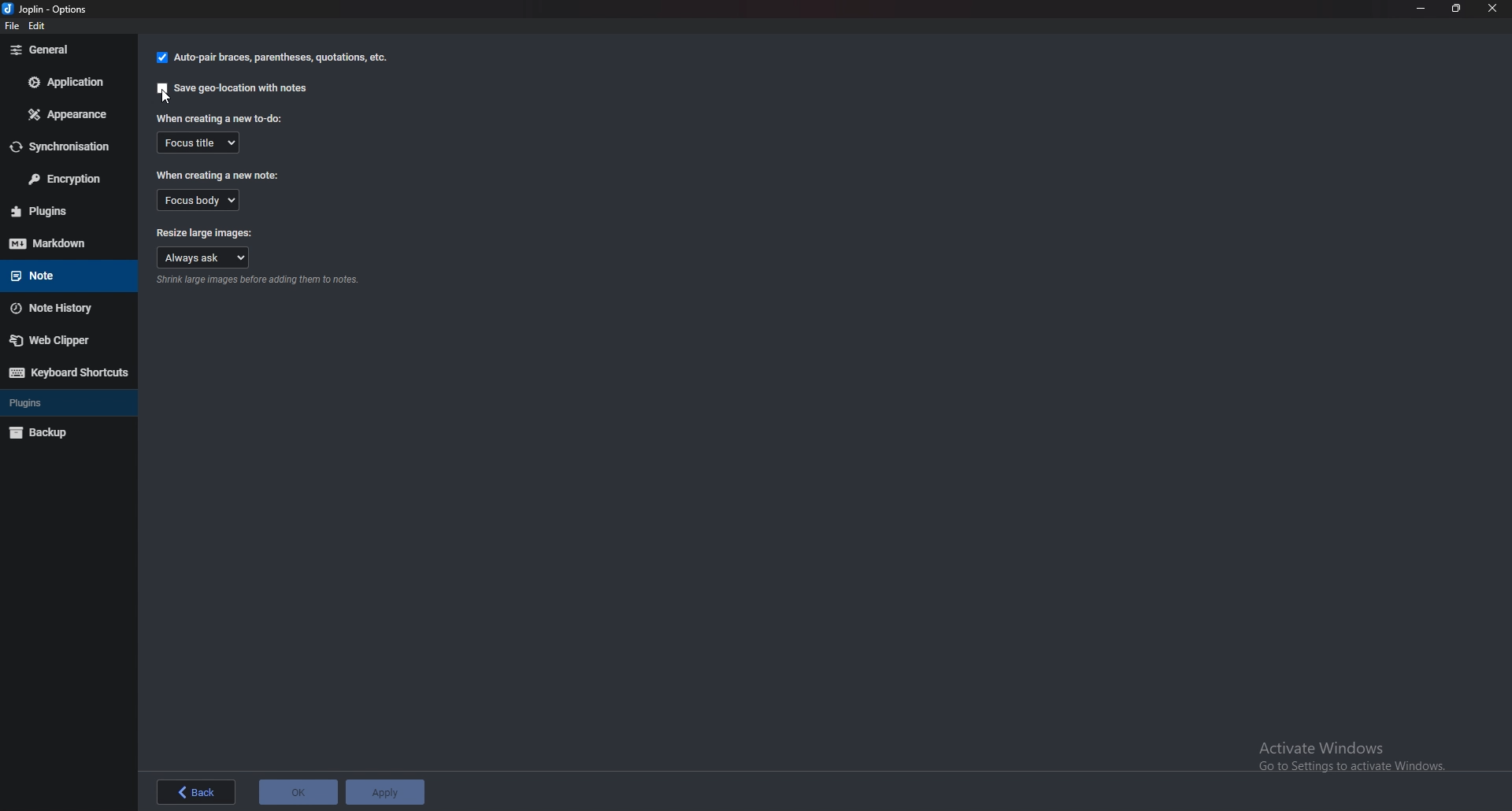 Image resolution: width=1512 pixels, height=811 pixels. I want to click on Activate windows pop up, so click(1354, 758).